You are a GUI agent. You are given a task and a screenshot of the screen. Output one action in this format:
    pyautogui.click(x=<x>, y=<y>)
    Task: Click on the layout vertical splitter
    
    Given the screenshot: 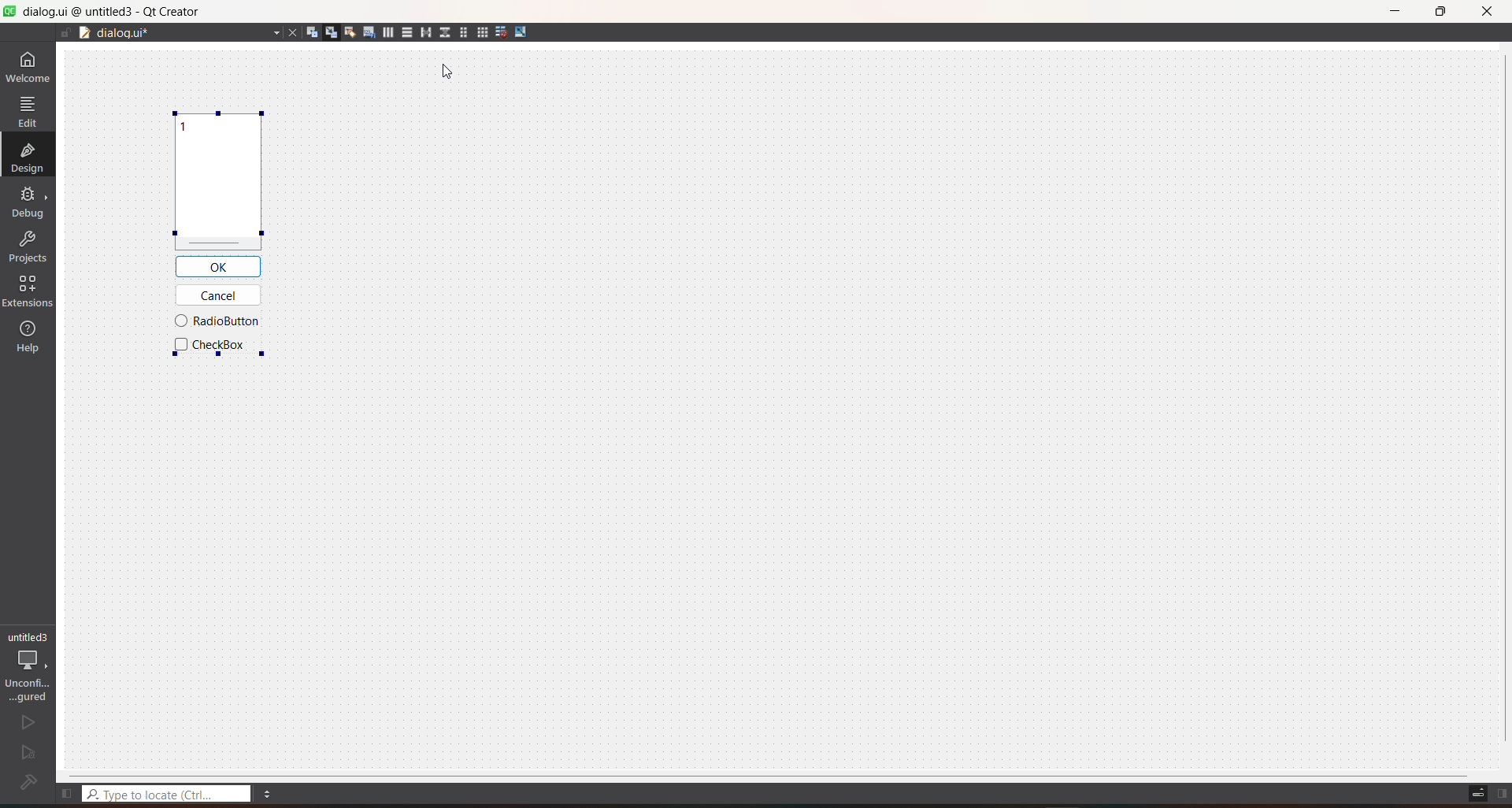 What is the action you would take?
    pyautogui.click(x=443, y=33)
    